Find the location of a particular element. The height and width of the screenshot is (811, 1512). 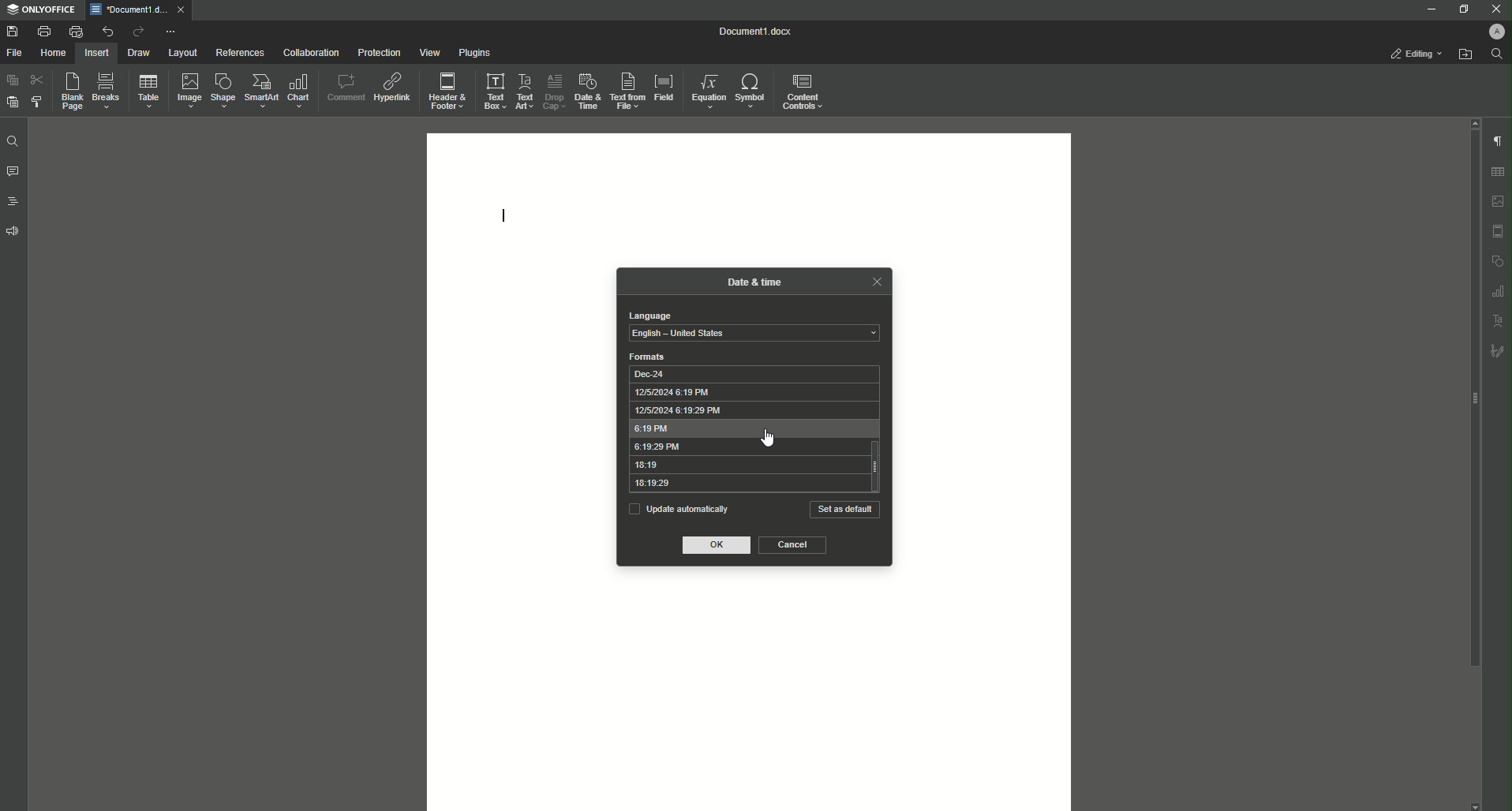

Chart is located at coordinates (301, 91).